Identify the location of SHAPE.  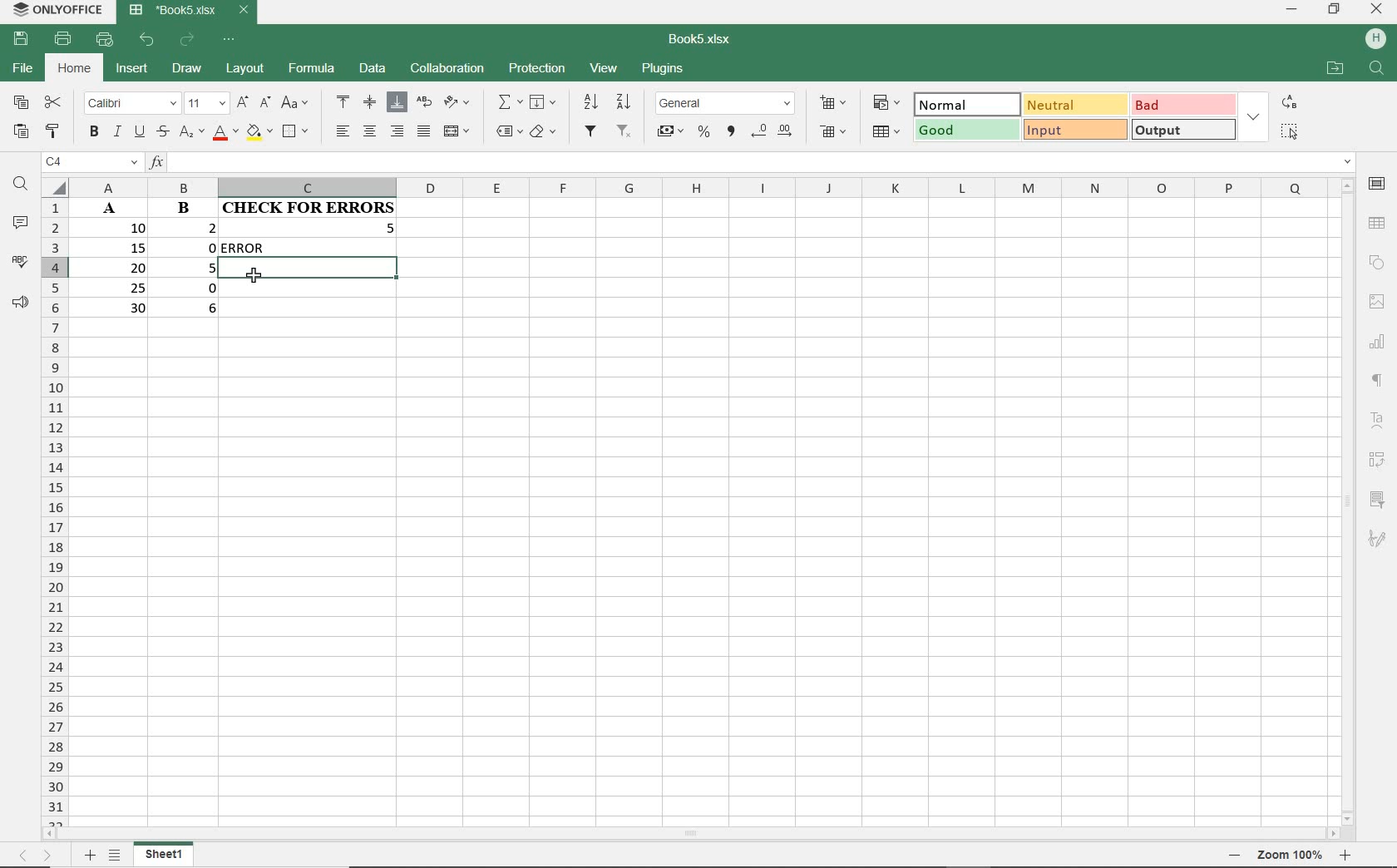
(1375, 261).